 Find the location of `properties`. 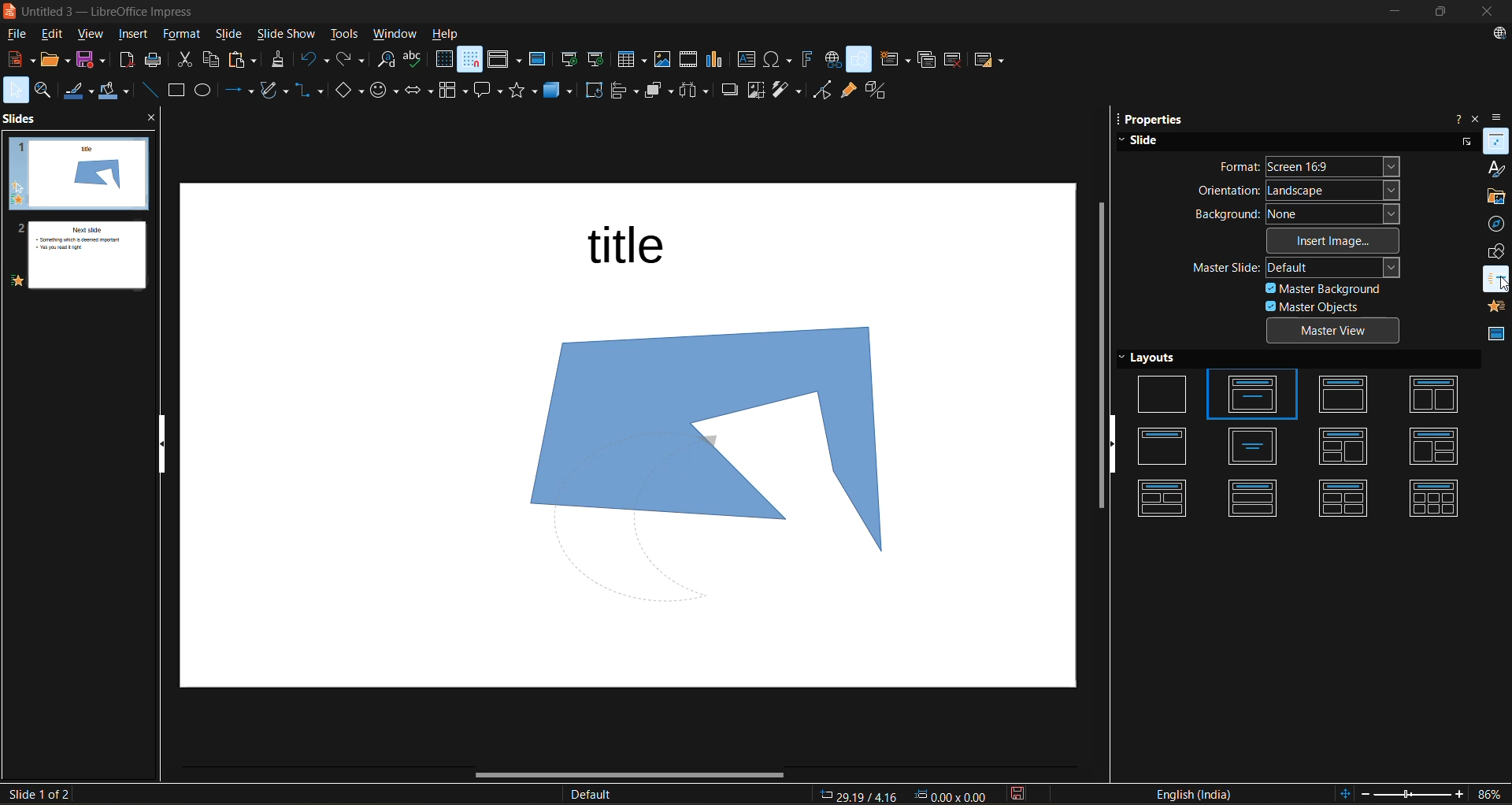

properties is located at coordinates (1496, 144).